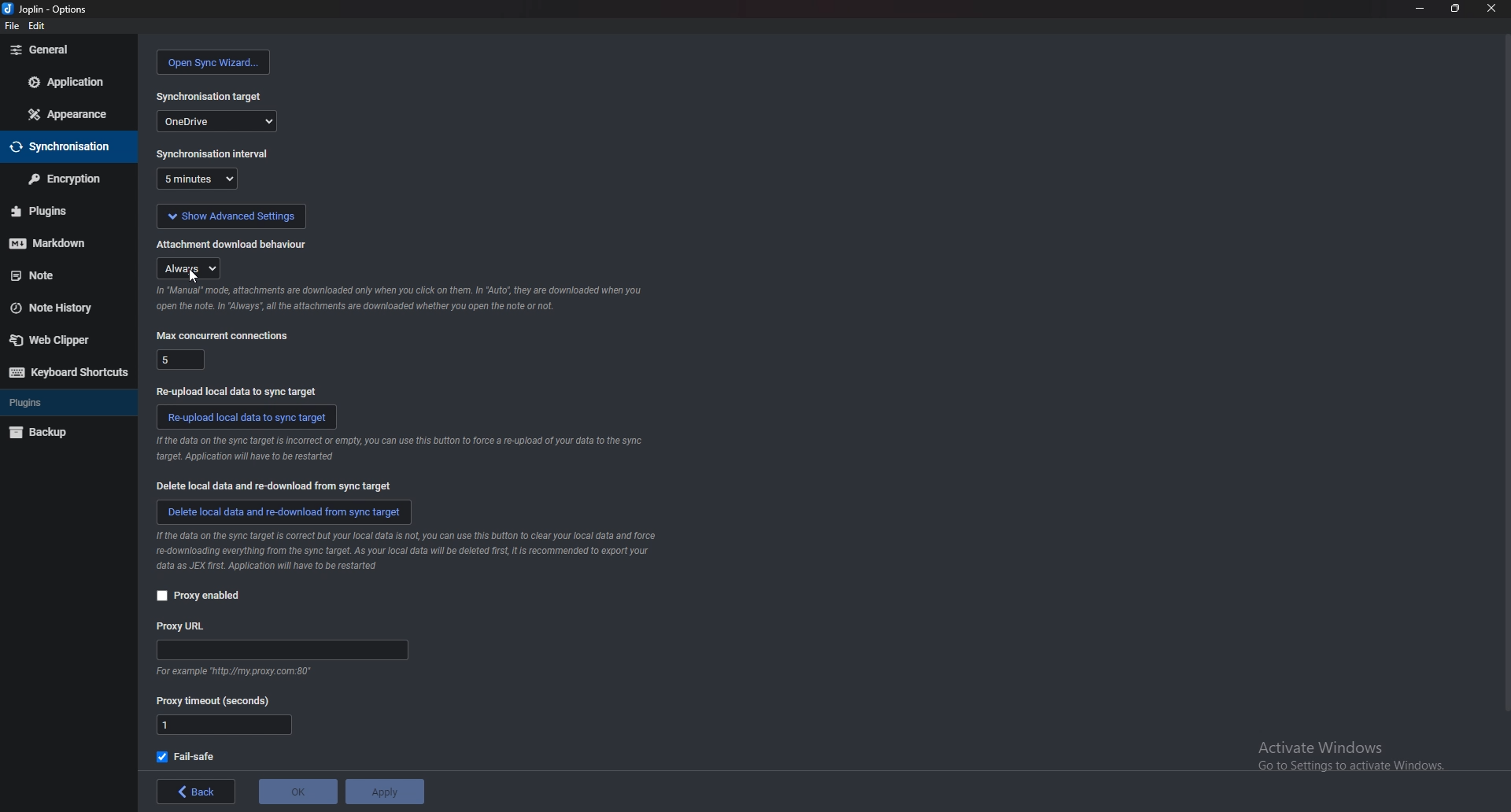 The width and height of the screenshot is (1511, 812). Describe the element at coordinates (67, 51) in the screenshot. I see `general` at that location.